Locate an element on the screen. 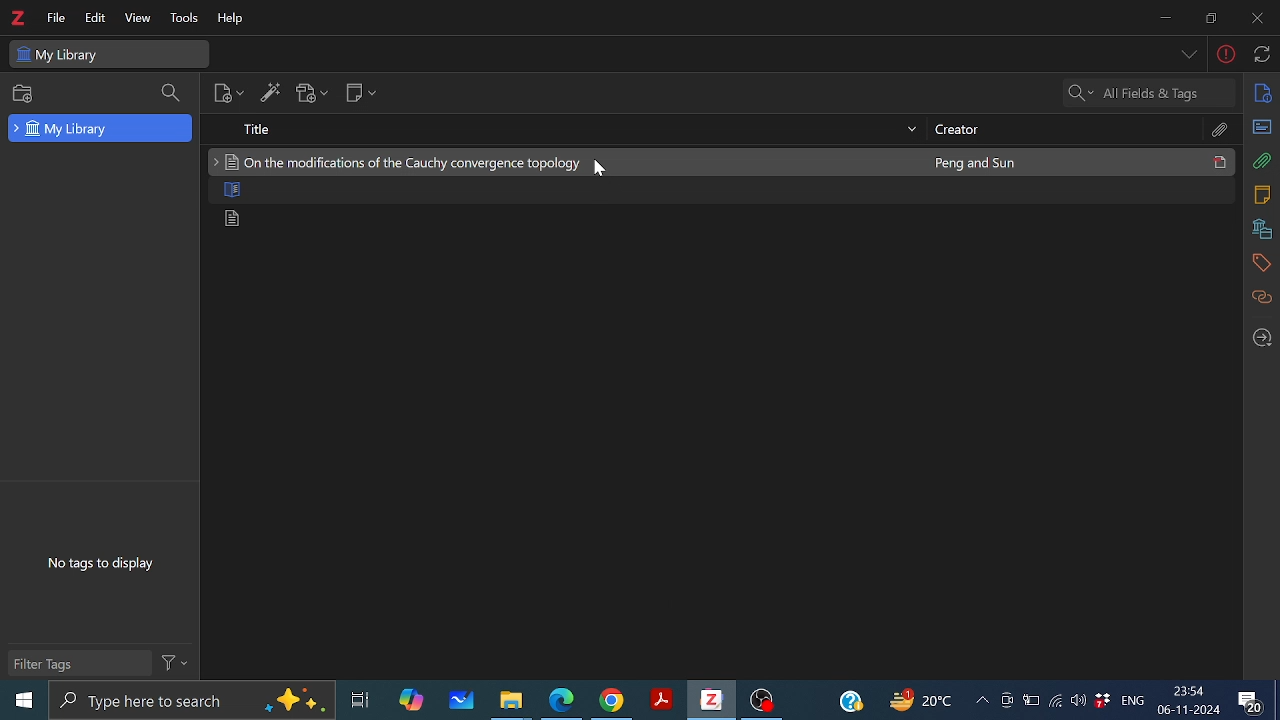  Show hidden icons is located at coordinates (981, 700).